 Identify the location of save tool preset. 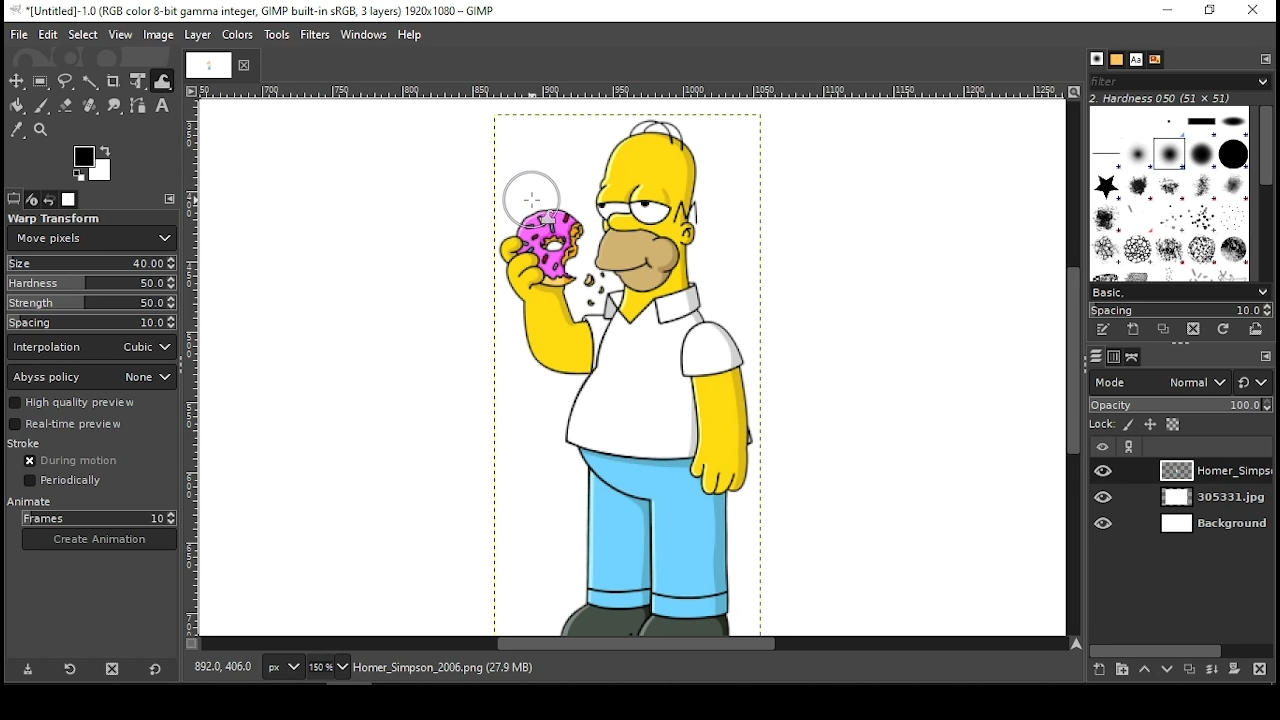
(27, 669).